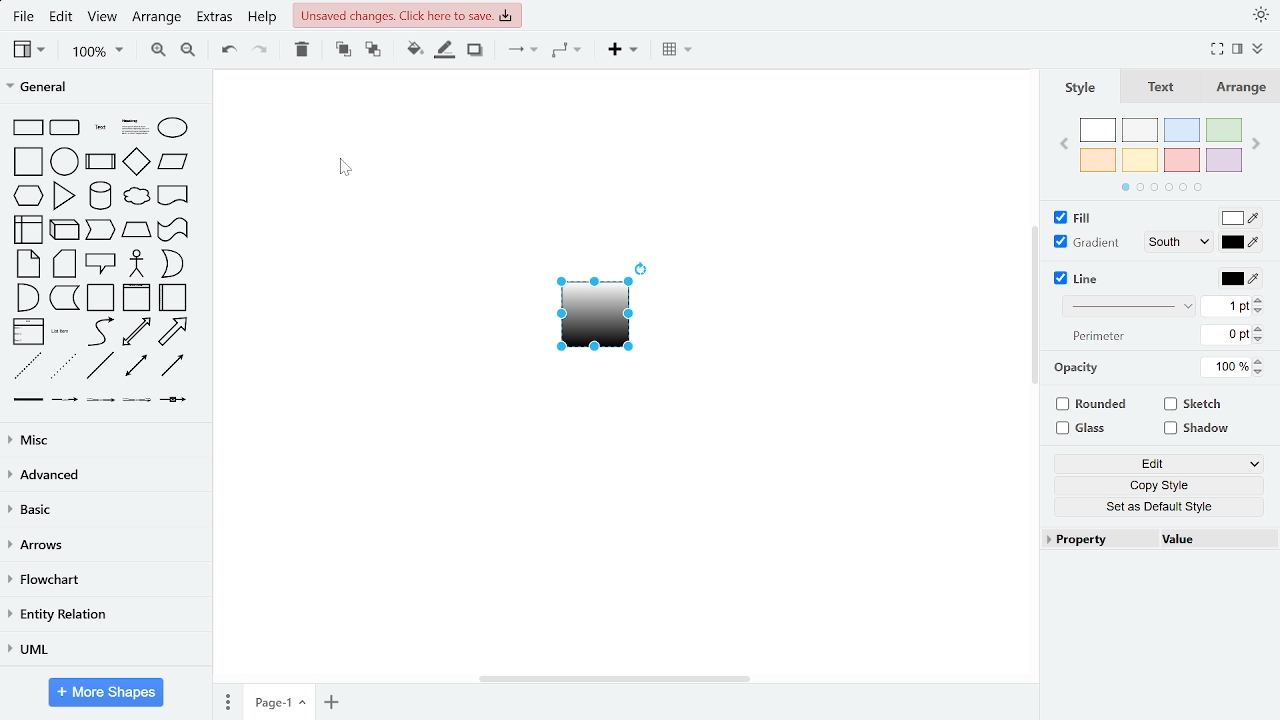 This screenshot has height=720, width=1280. Describe the element at coordinates (92, 50) in the screenshot. I see `zoom` at that location.